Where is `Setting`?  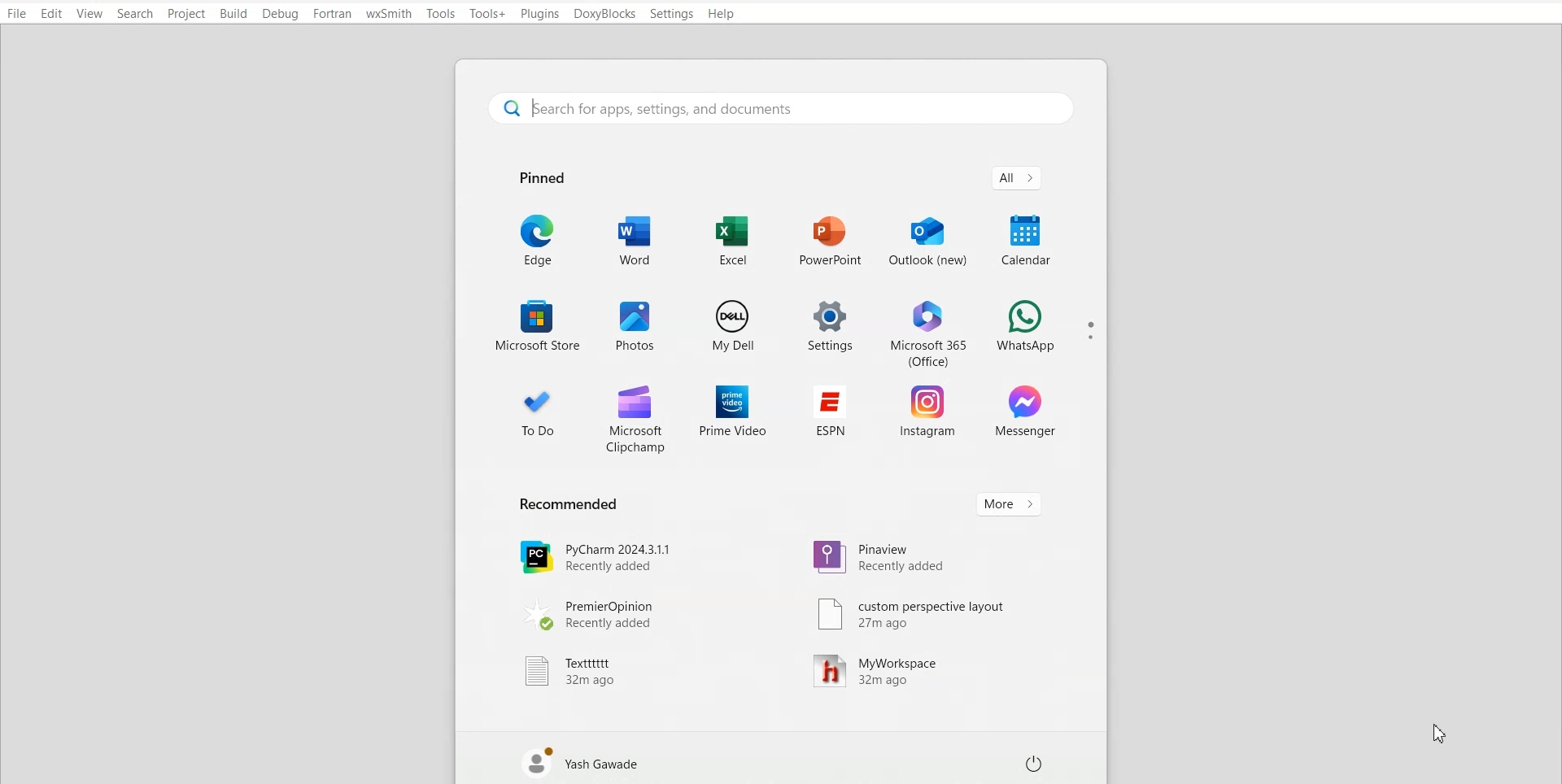
Setting is located at coordinates (831, 324).